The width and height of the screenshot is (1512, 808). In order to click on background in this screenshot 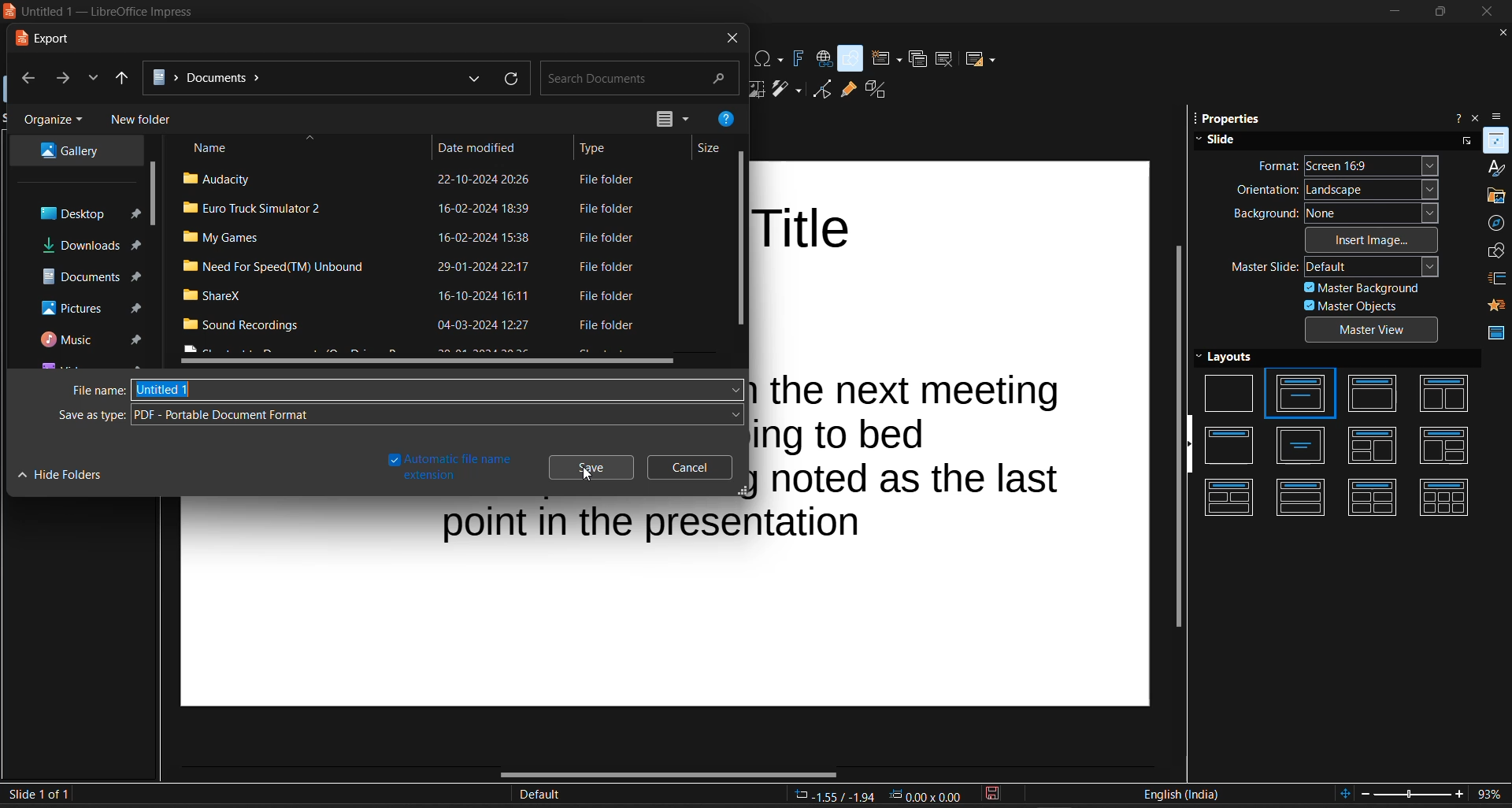, I will do `click(1337, 213)`.